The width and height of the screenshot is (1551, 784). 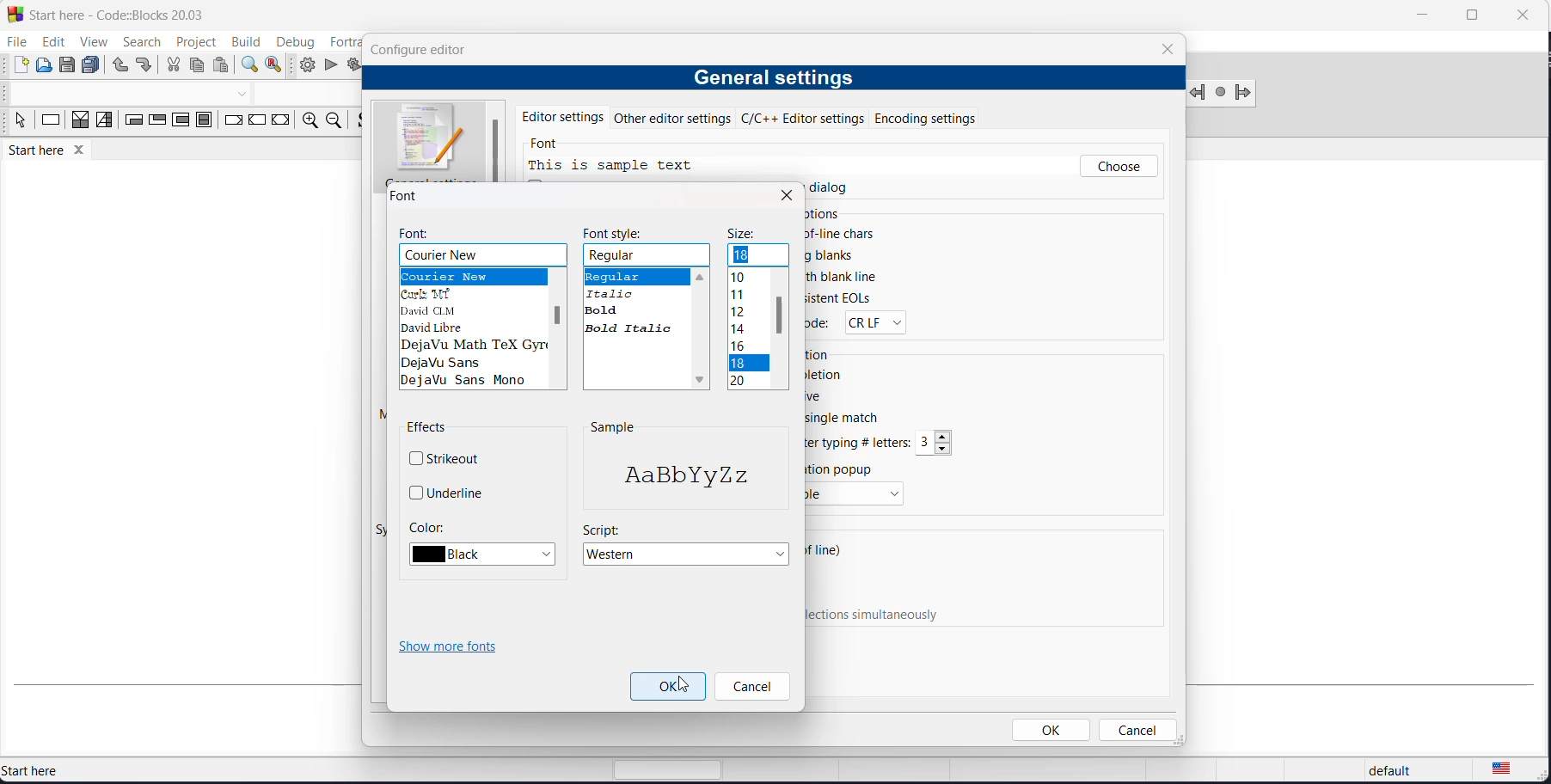 What do you see at coordinates (946, 117) in the screenshot?
I see `encoding settings` at bounding box center [946, 117].